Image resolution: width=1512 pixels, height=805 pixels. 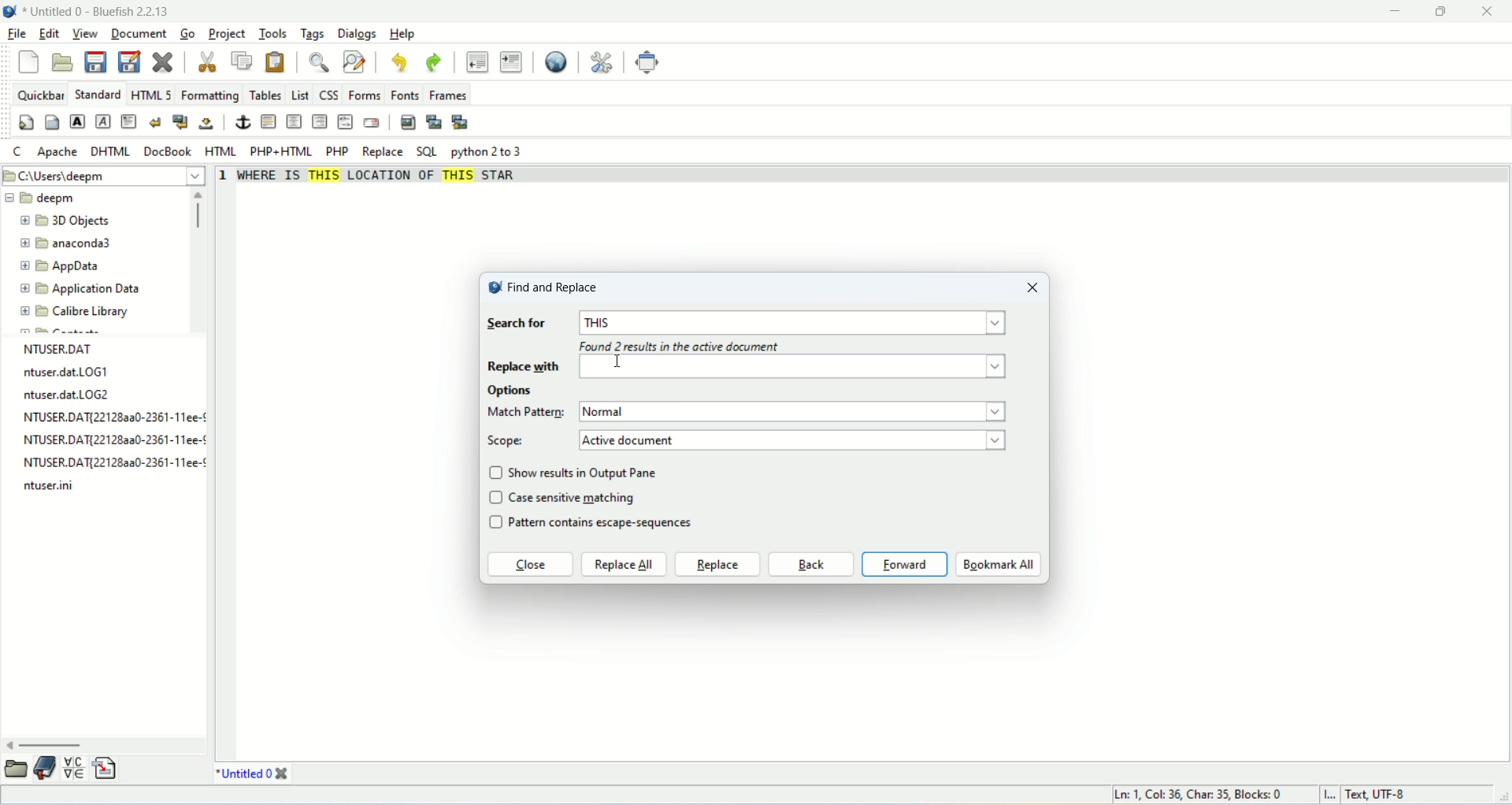 What do you see at coordinates (406, 95) in the screenshot?
I see `fonts` at bounding box center [406, 95].